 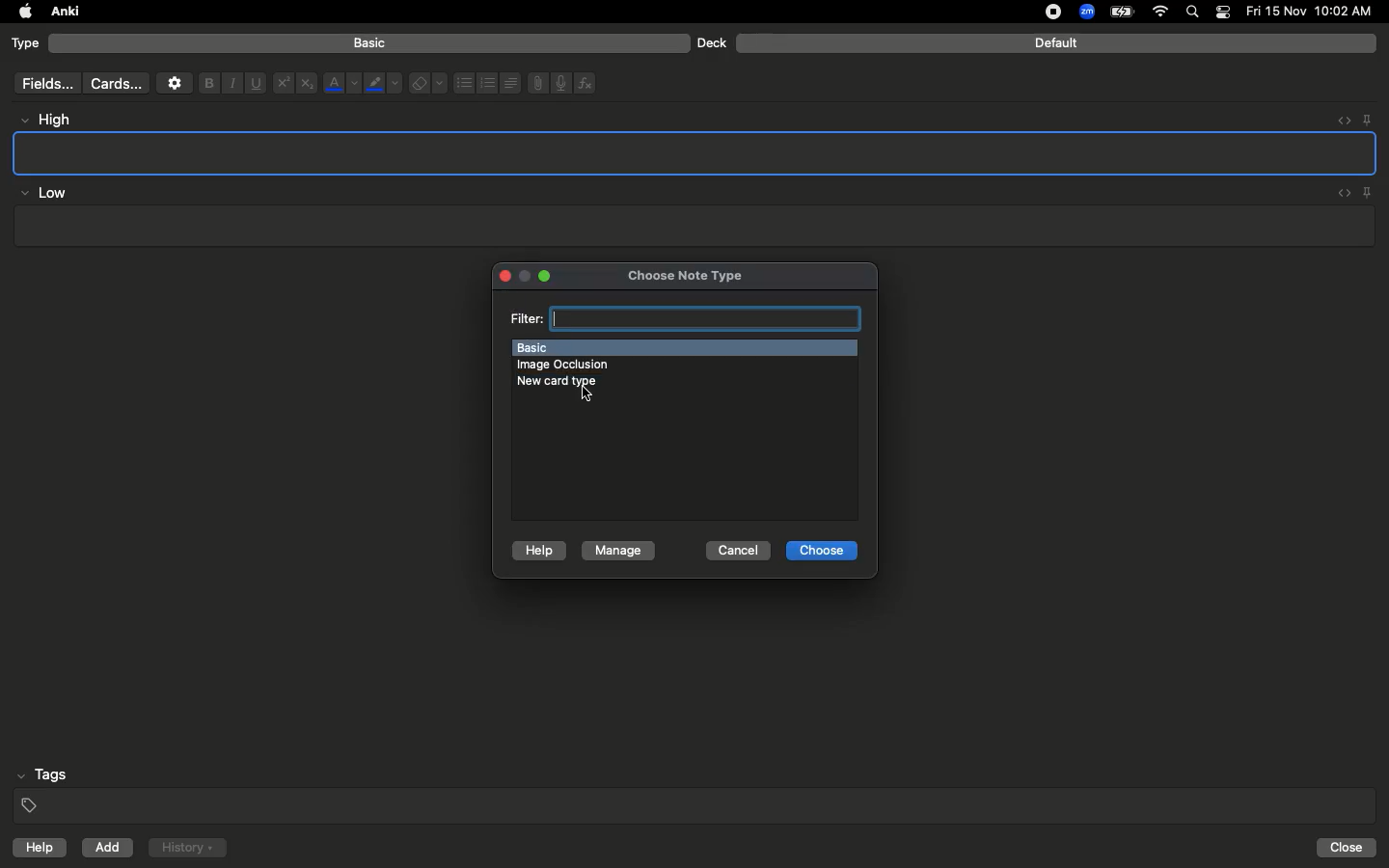 What do you see at coordinates (109, 848) in the screenshot?
I see `Add` at bounding box center [109, 848].